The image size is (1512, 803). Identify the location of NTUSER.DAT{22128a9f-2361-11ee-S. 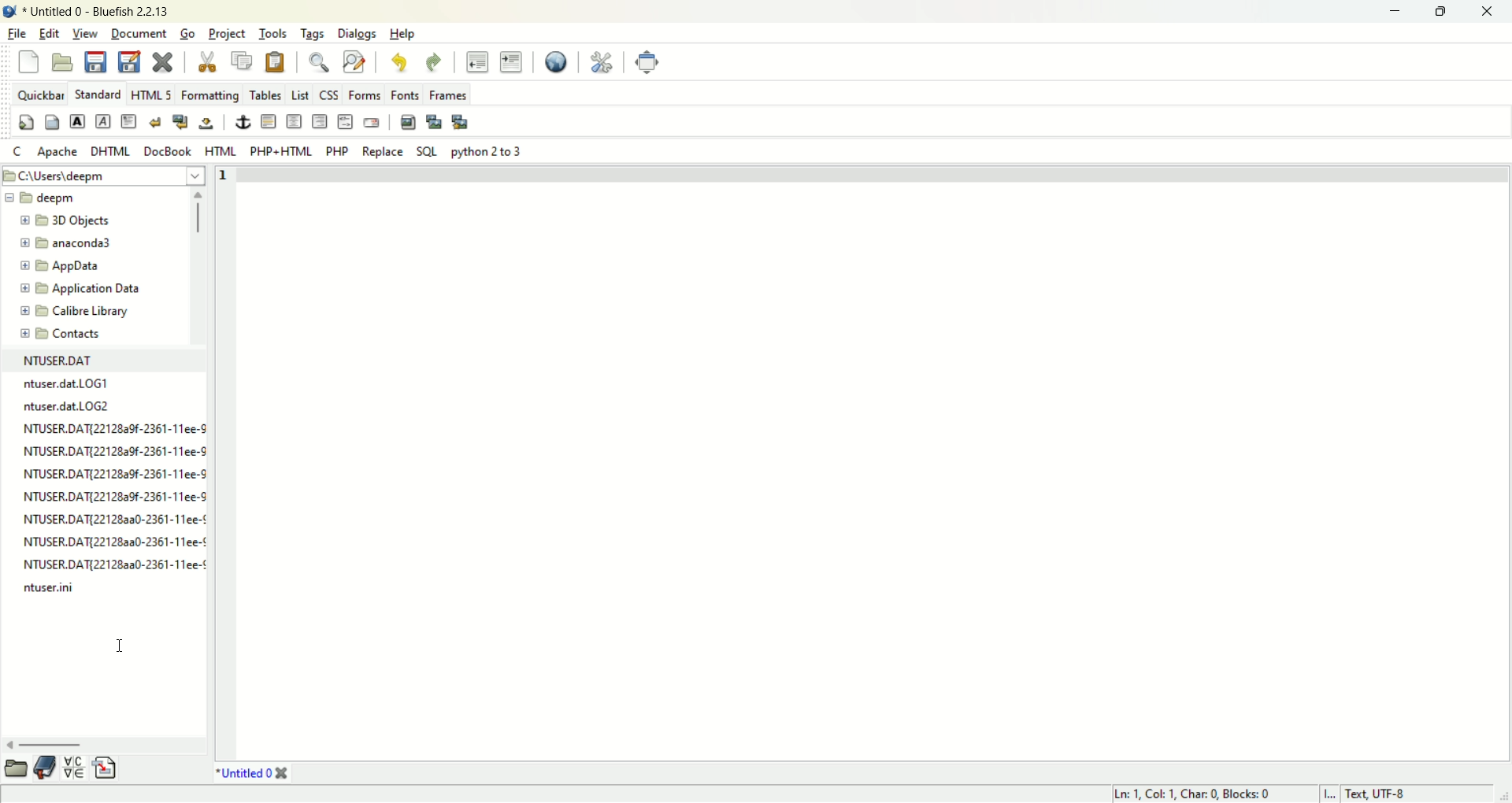
(113, 495).